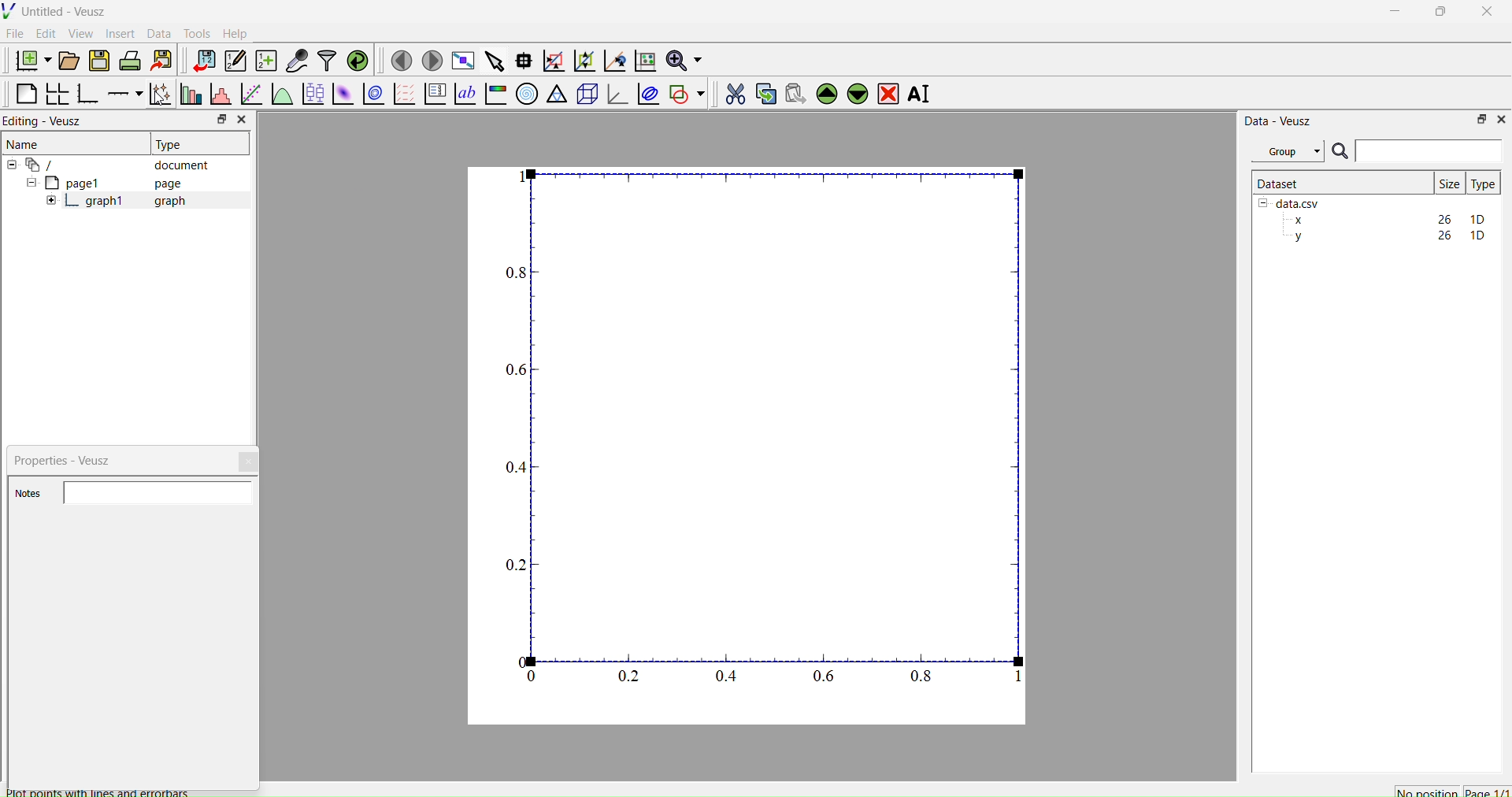 This screenshot has height=797, width=1512. Describe the element at coordinates (1395, 15) in the screenshot. I see `Minimize` at that location.